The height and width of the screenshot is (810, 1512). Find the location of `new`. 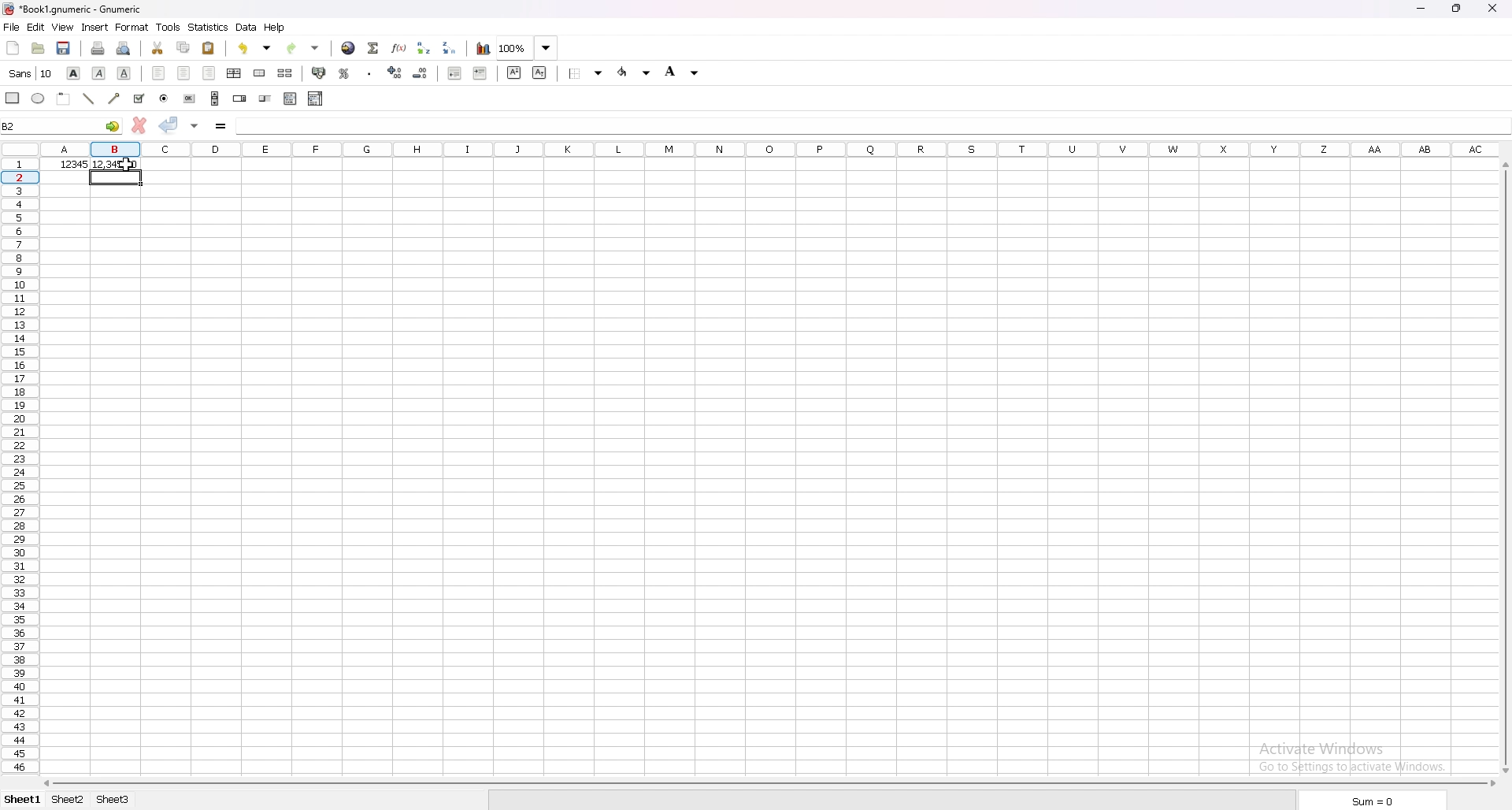

new is located at coordinates (13, 48).